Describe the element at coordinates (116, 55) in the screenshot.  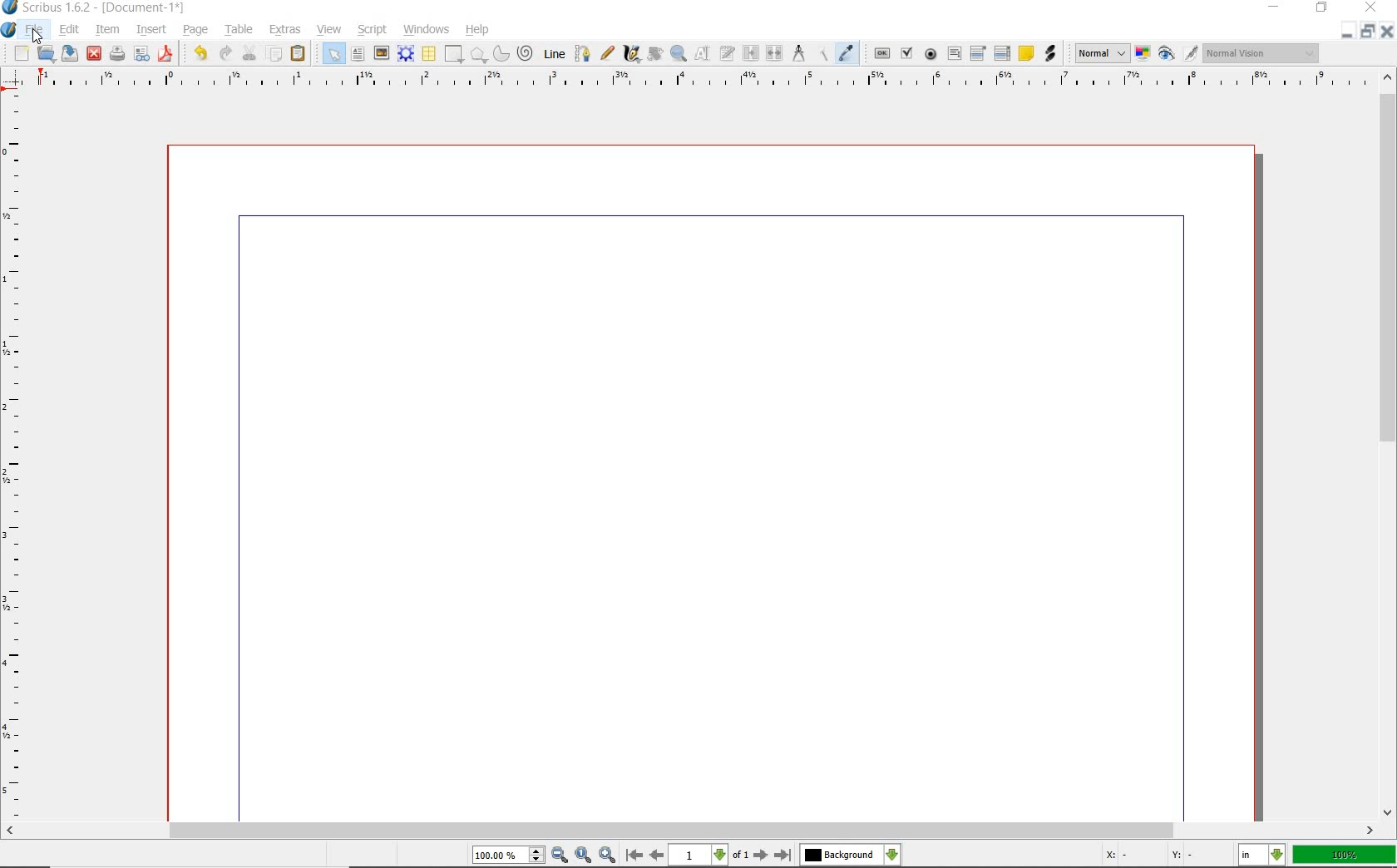
I see `preflight verifier` at that location.